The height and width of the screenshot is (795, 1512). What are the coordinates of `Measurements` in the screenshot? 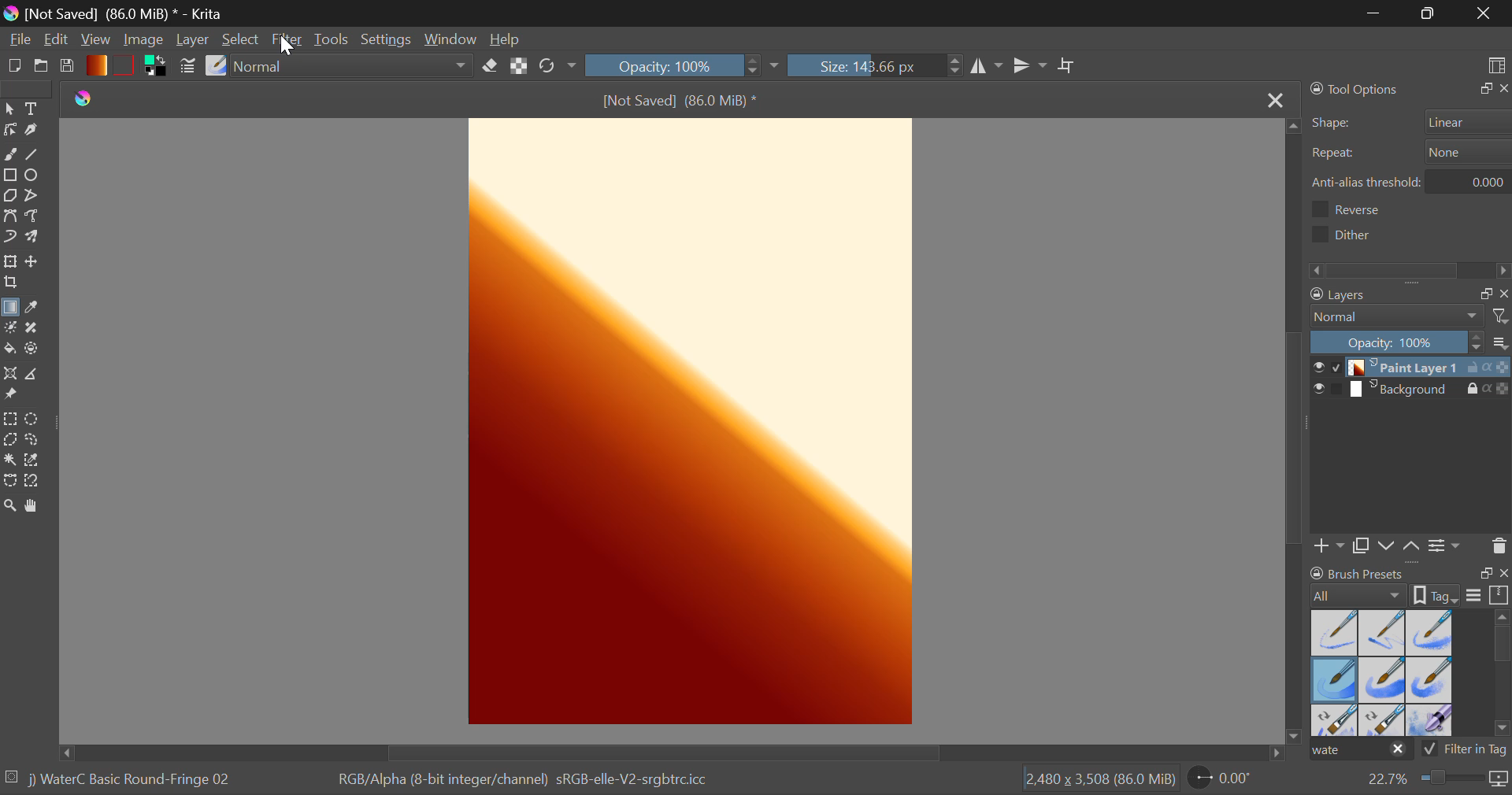 It's located at (41, 374).